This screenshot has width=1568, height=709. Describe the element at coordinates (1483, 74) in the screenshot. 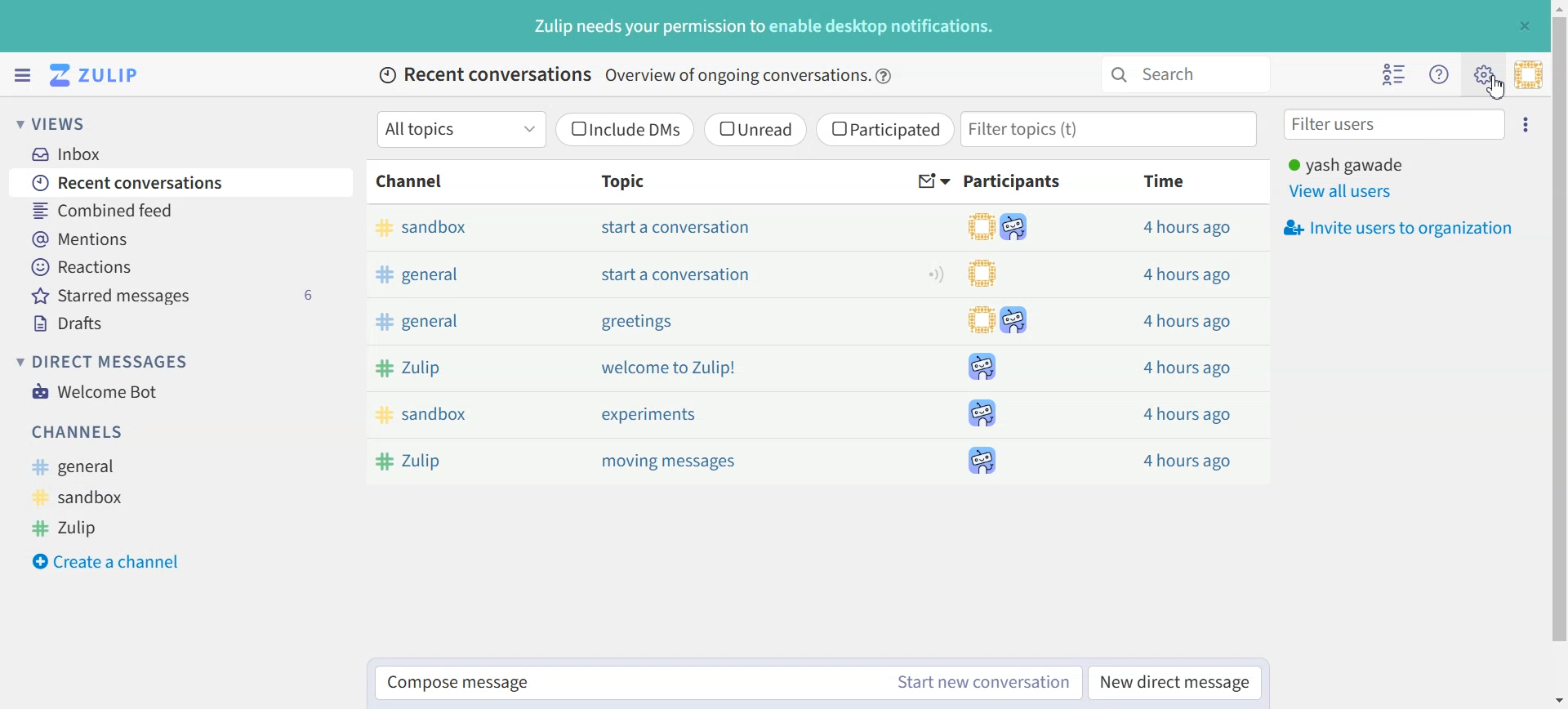

I see `Main menu` at that location.